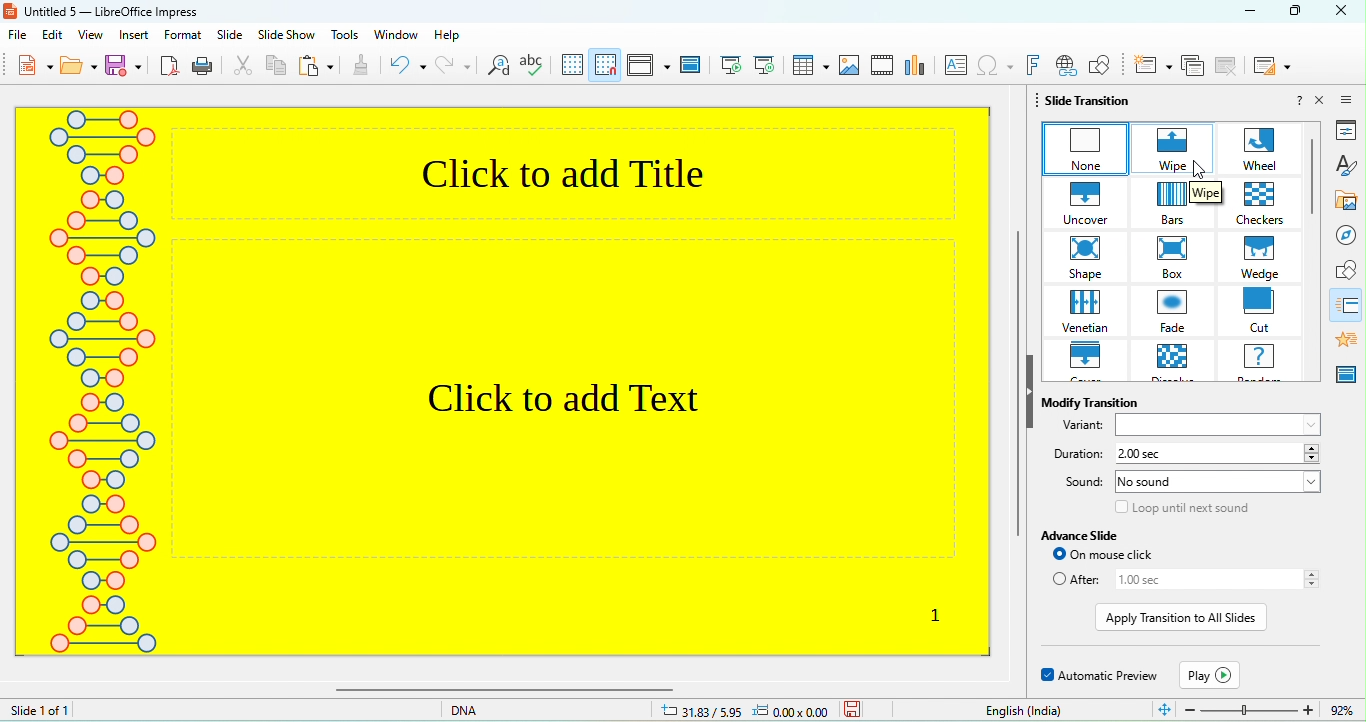 The height and width of the screenshot is (722, 1366). I want to click on shape, so click(1088, 257).